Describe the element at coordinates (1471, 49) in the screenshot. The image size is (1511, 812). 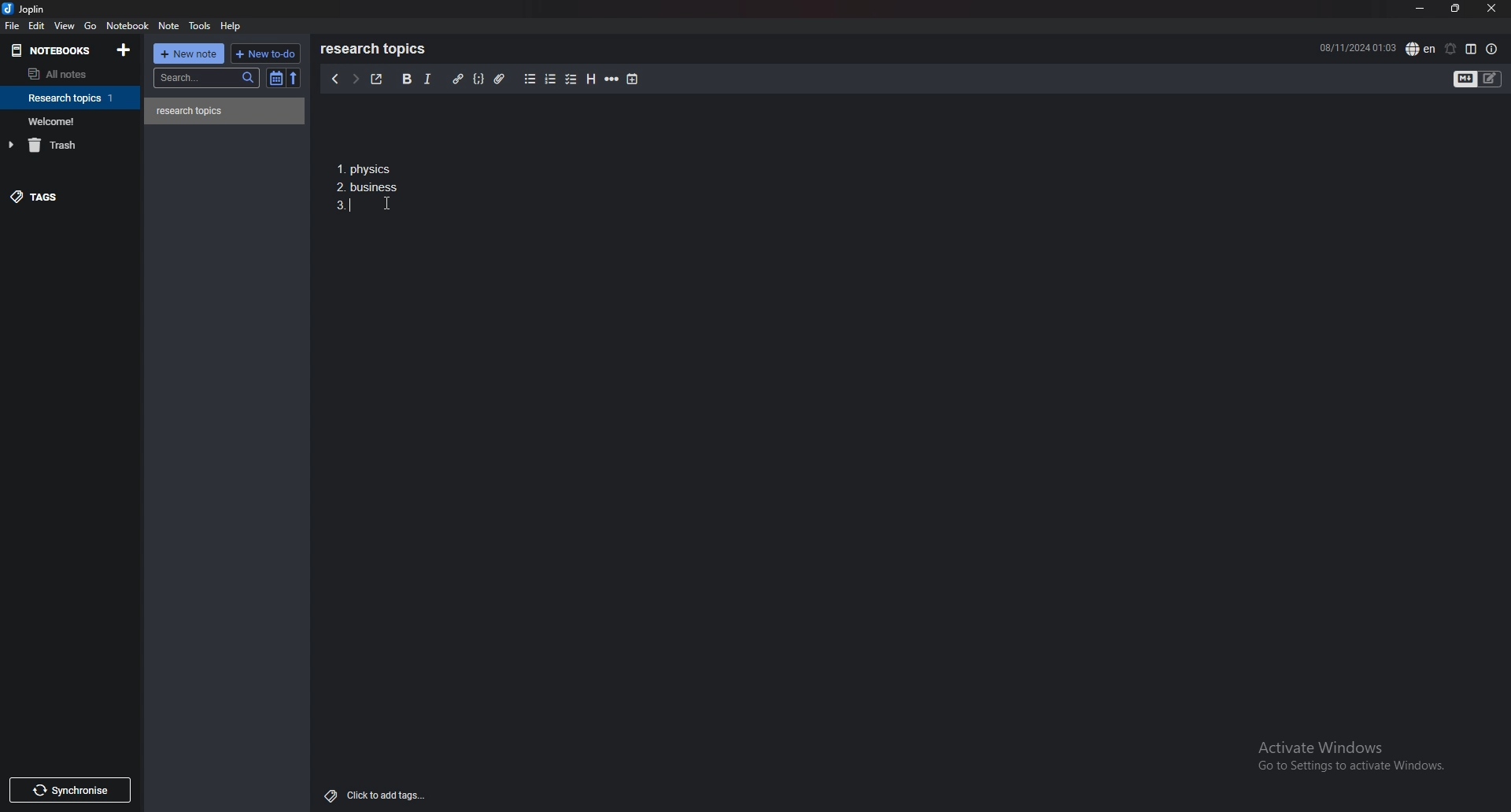
I see `toggle editor layout` at that location.